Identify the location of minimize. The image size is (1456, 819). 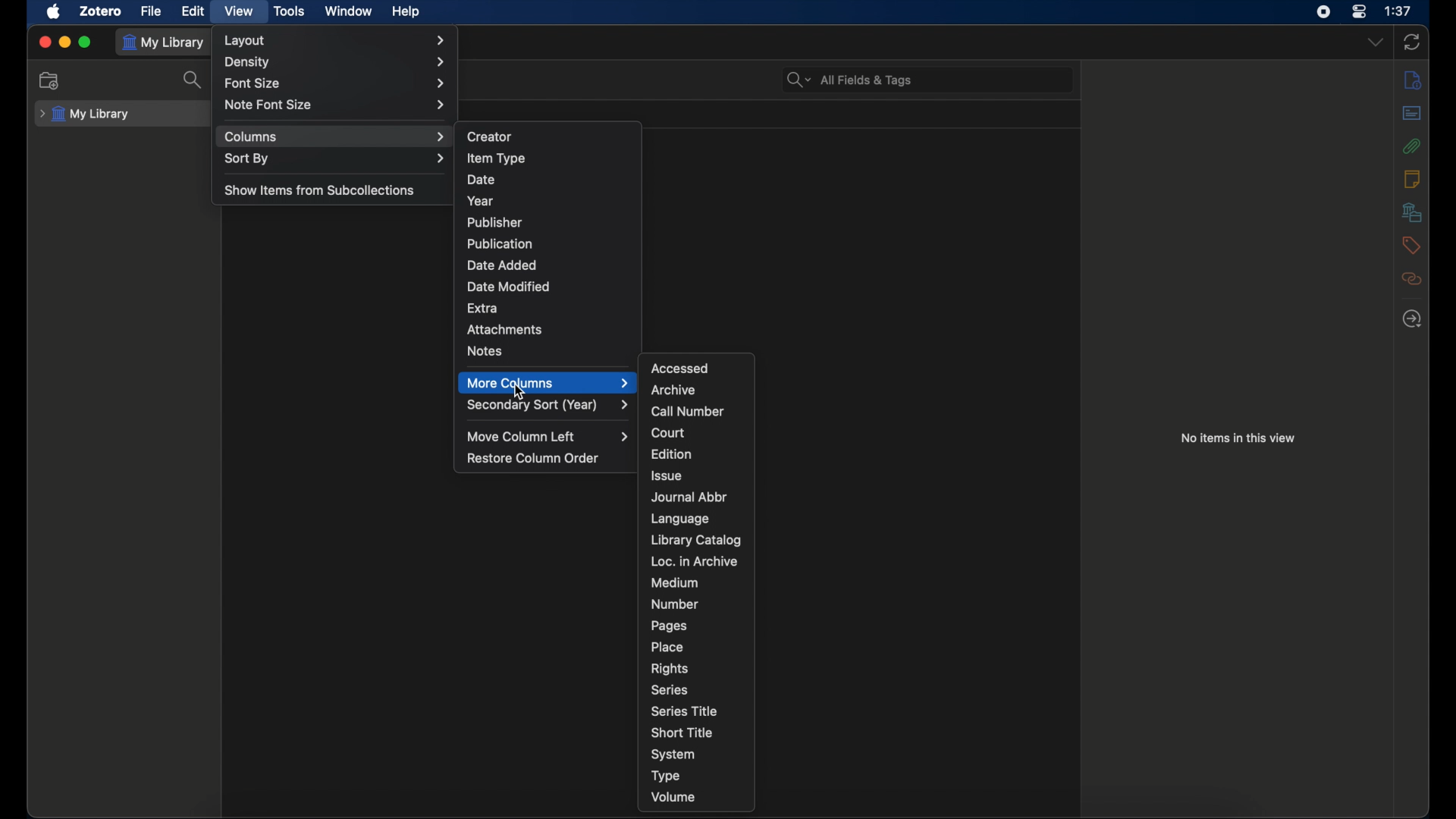
(64, 41).